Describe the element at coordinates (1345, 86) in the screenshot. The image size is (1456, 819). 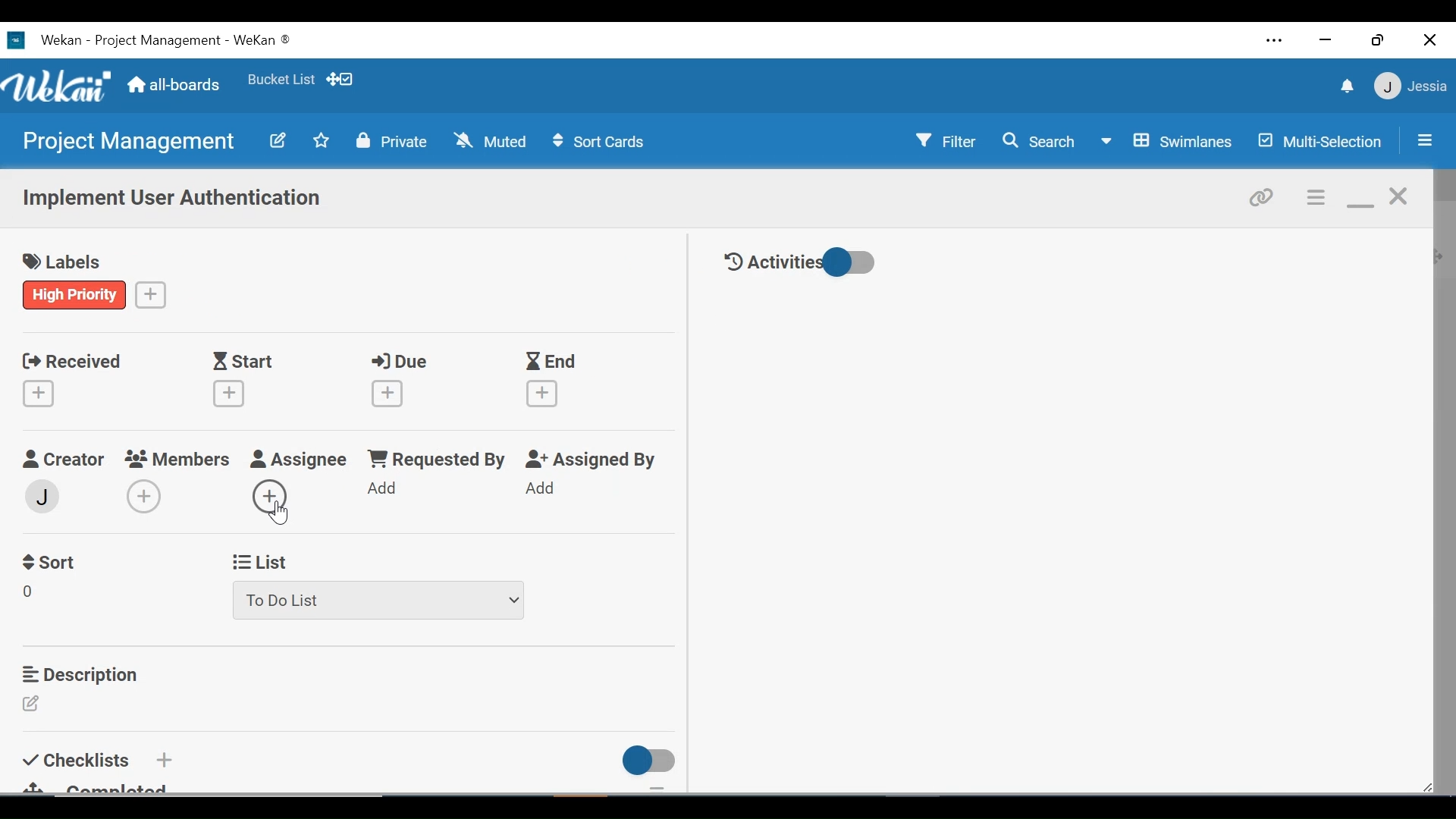
I see `notifications` at that location.